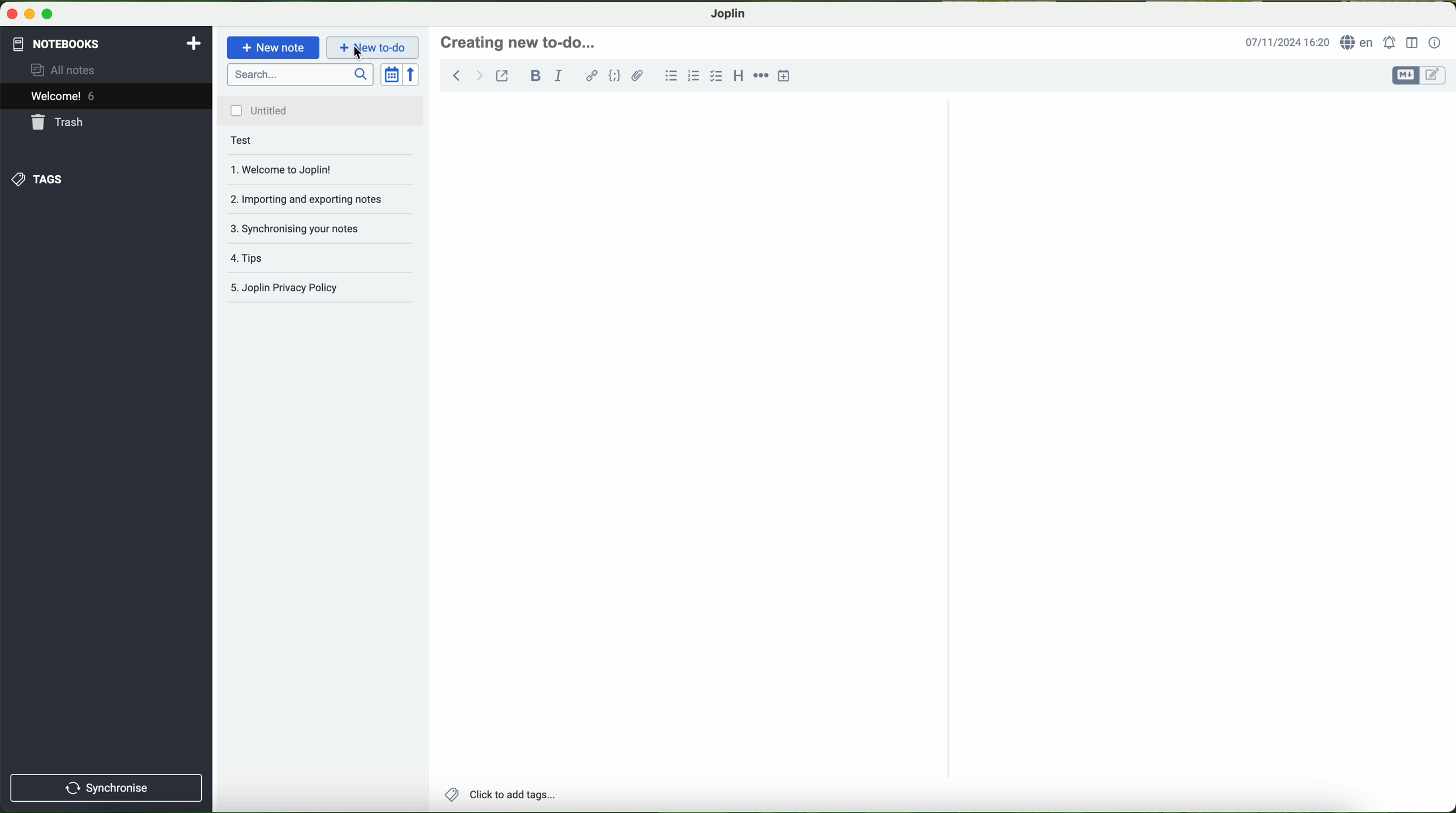 This screenshot has height=813, width=1456. Describe the element at coordinates (716, 75) in the screenshot. I see `checkbox` at that location.